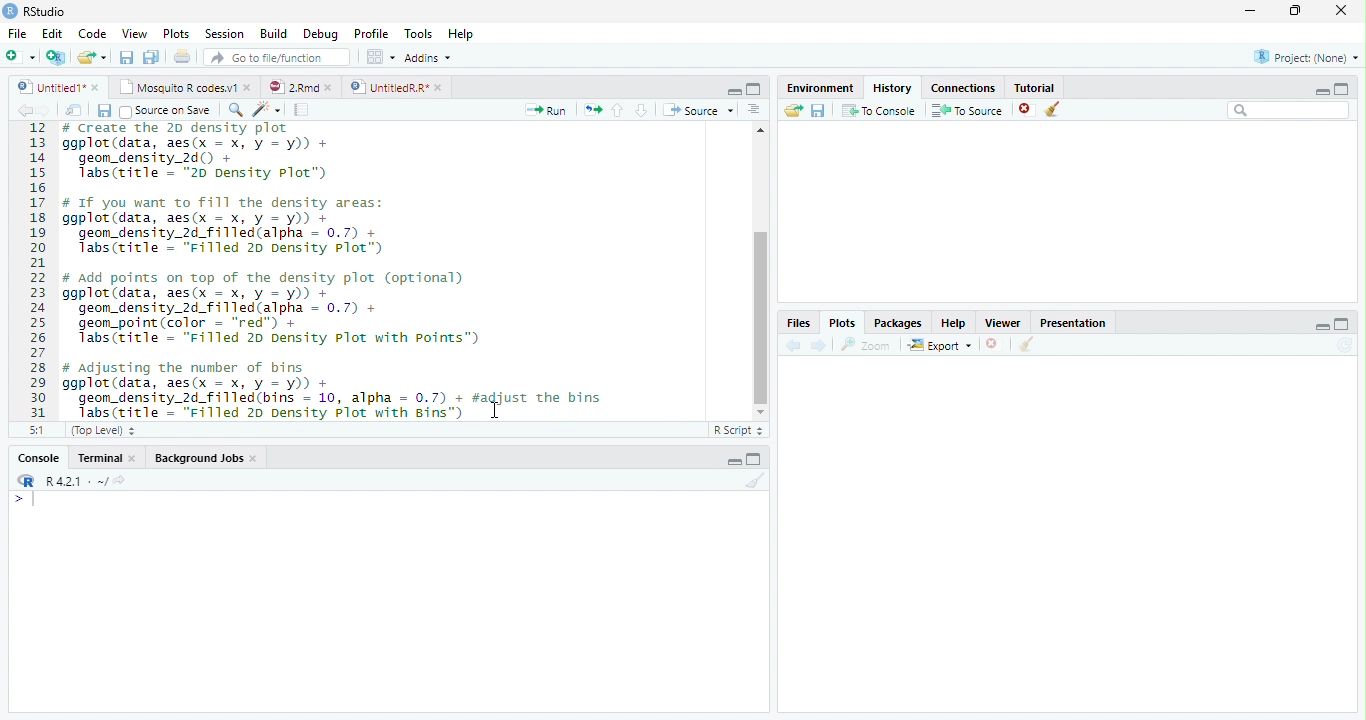 The image size is (1366, 720). I want to click on Console, so click(38, 459).